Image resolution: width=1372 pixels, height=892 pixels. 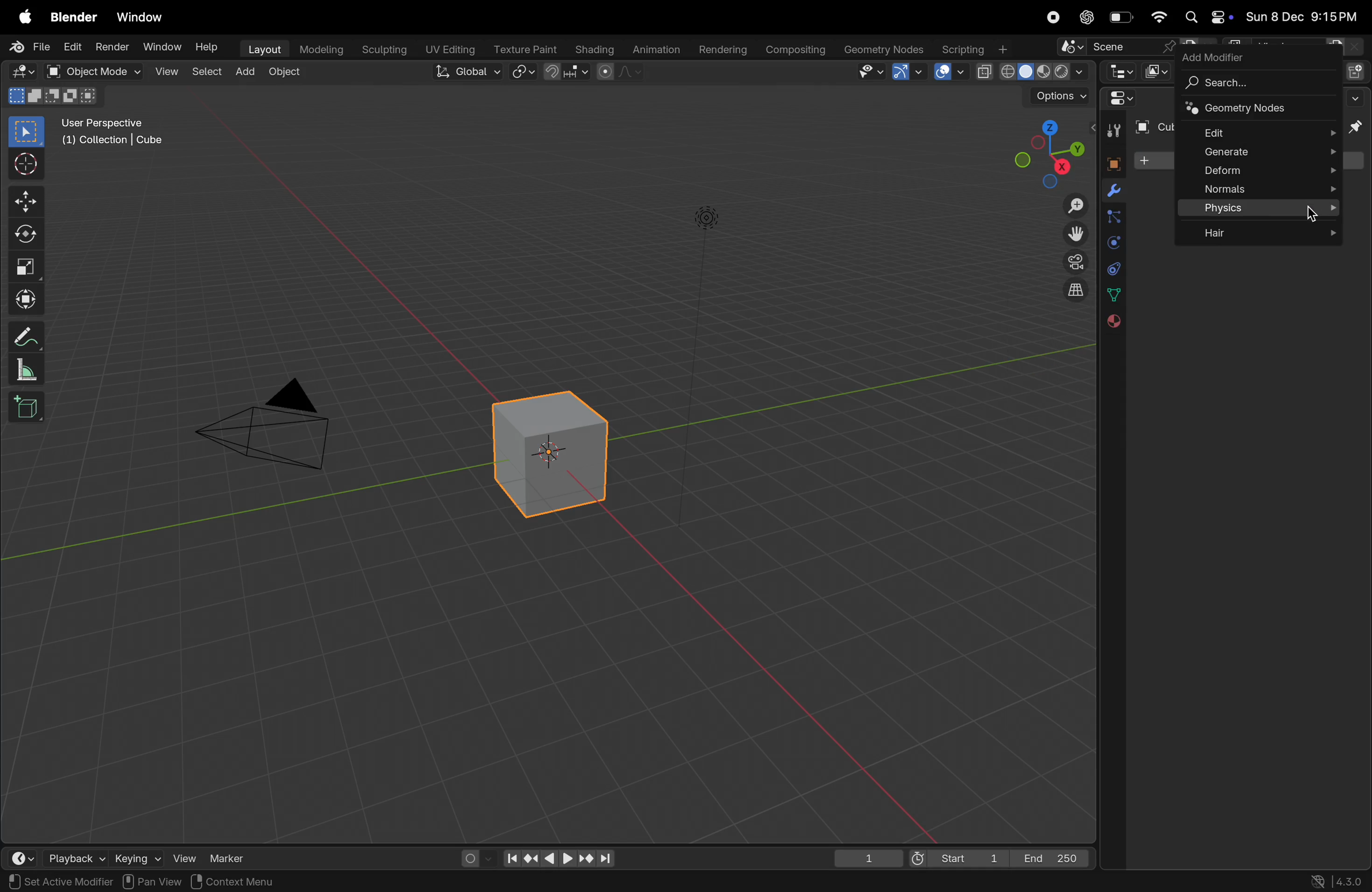 What do you see at coordinates (1253, 83) in the screenshot?
I see `search` at bounding box center [1253, 83].